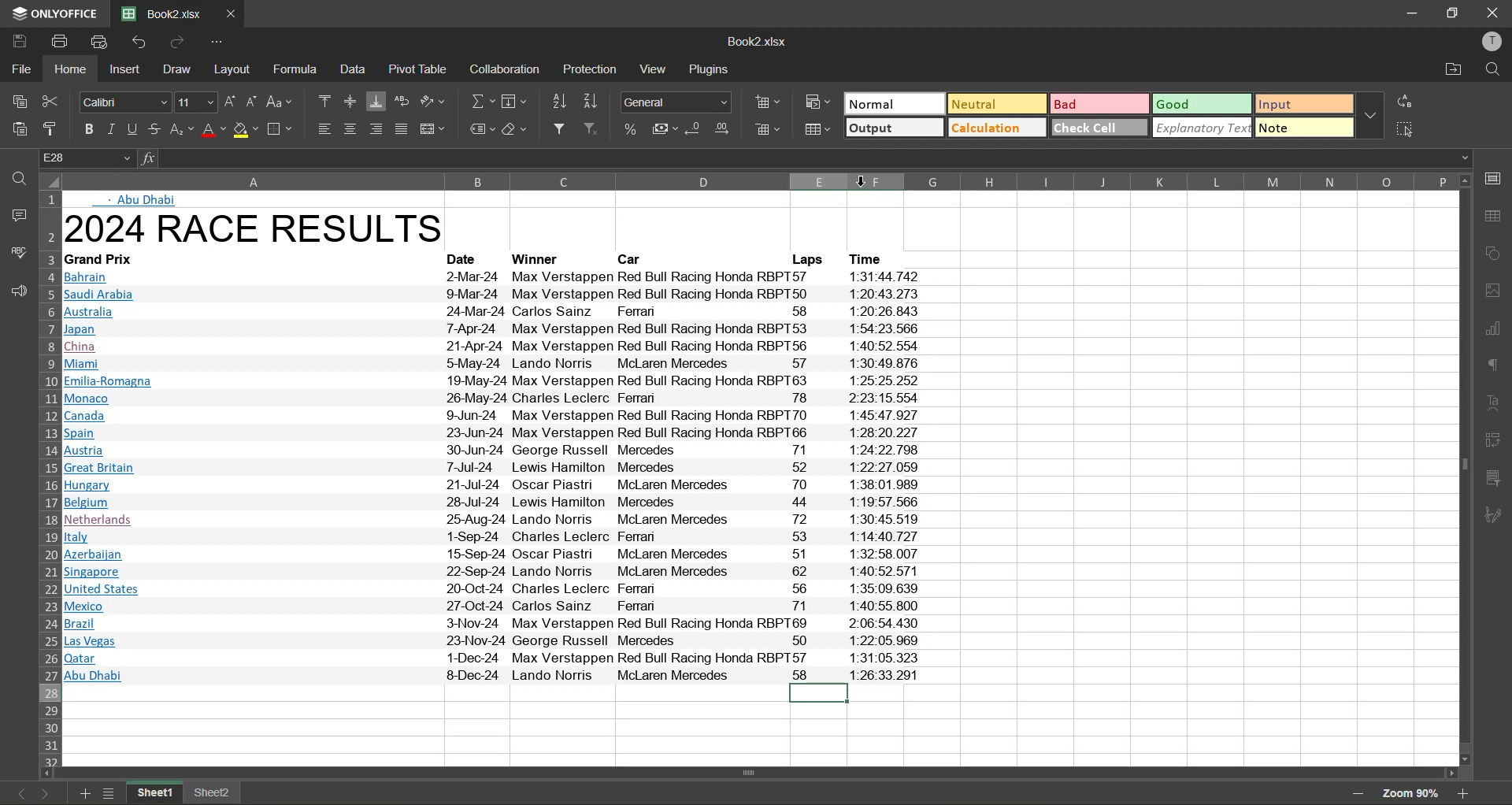 The image size is (1512, 805). I want to click on underline, so click(135, 128).